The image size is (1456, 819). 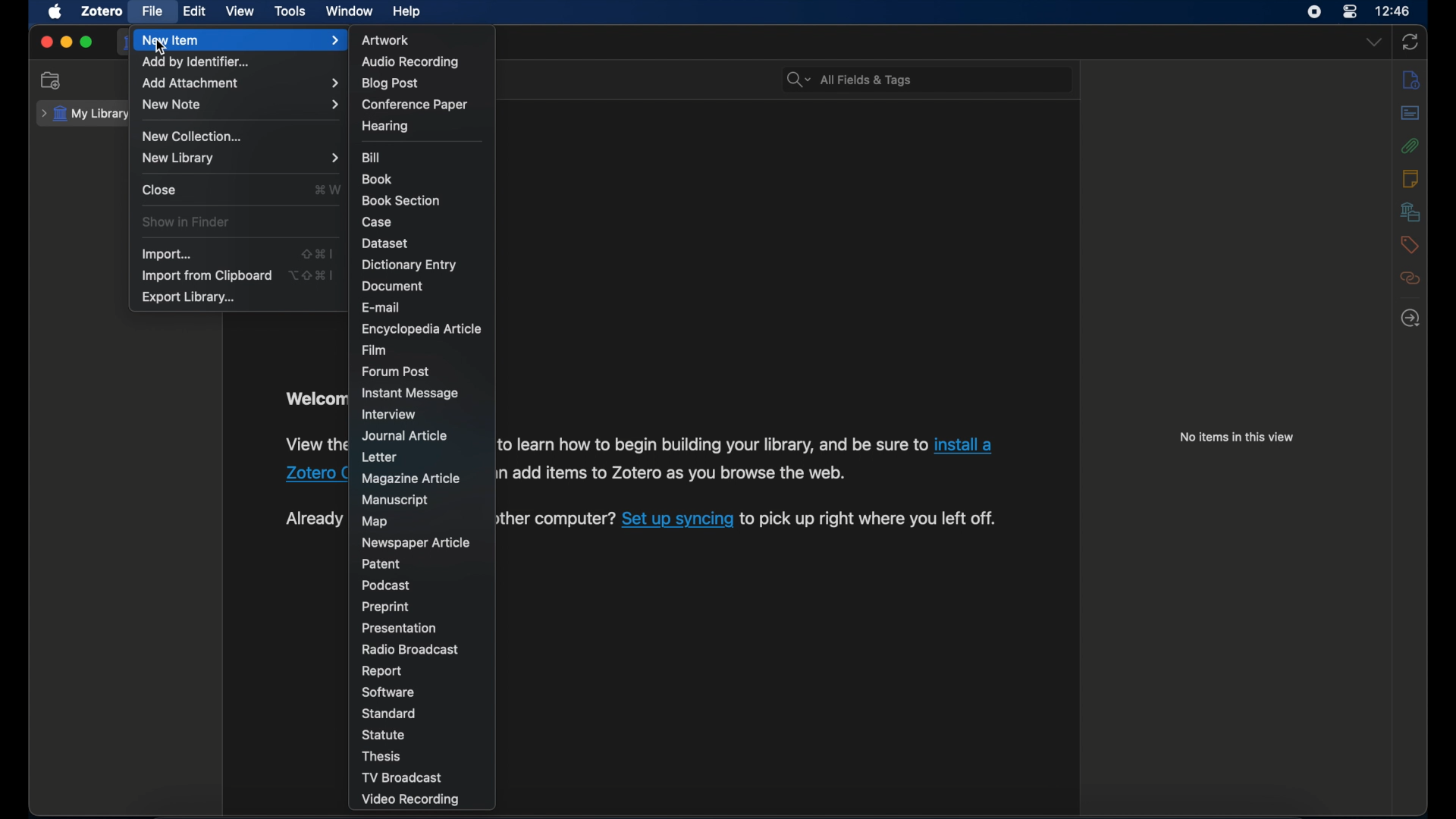 I want to click on tv broadcast, so click(x=403, y=778).